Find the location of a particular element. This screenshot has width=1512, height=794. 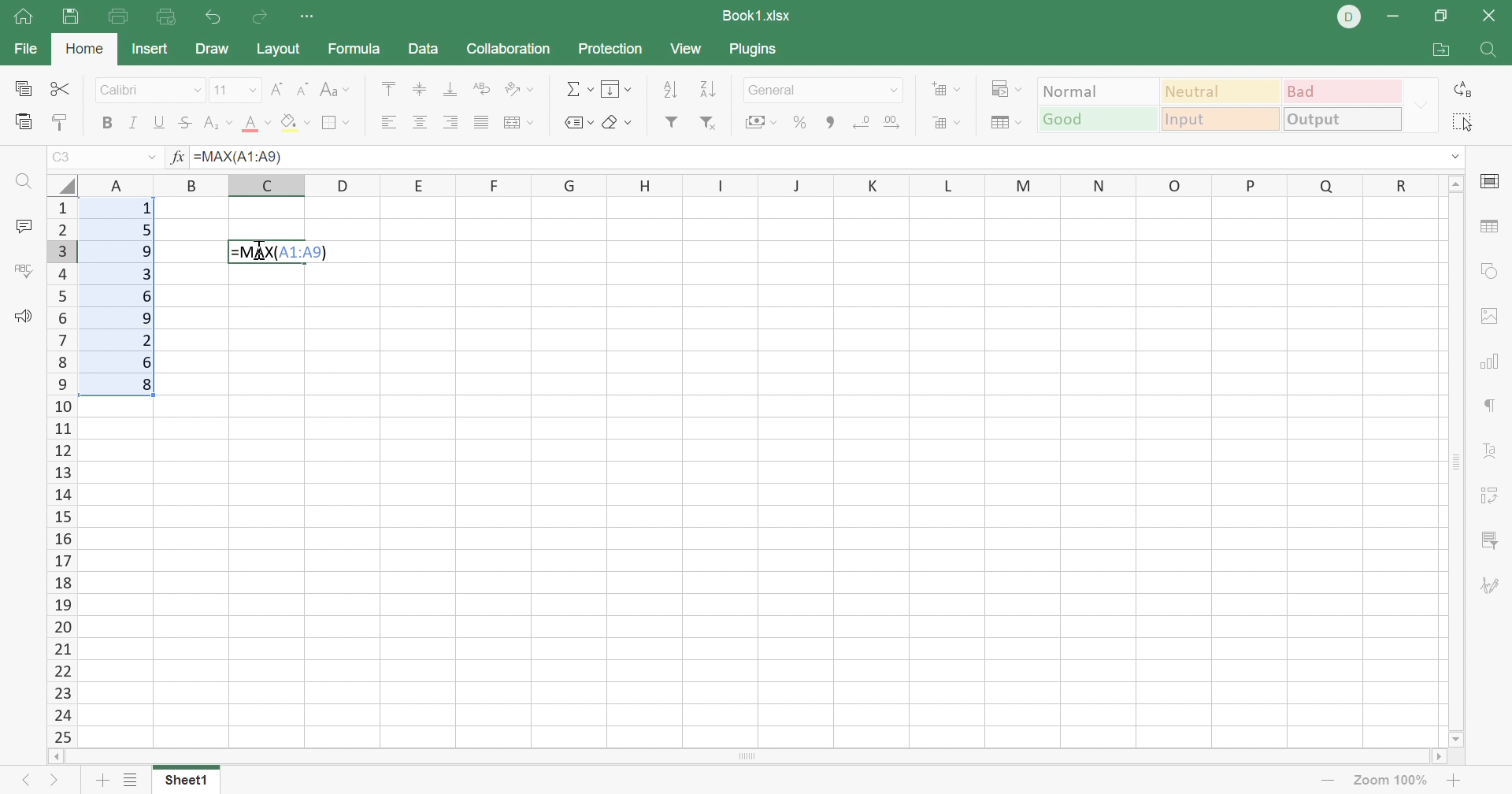

Cut is located at coordinates (60, 87).